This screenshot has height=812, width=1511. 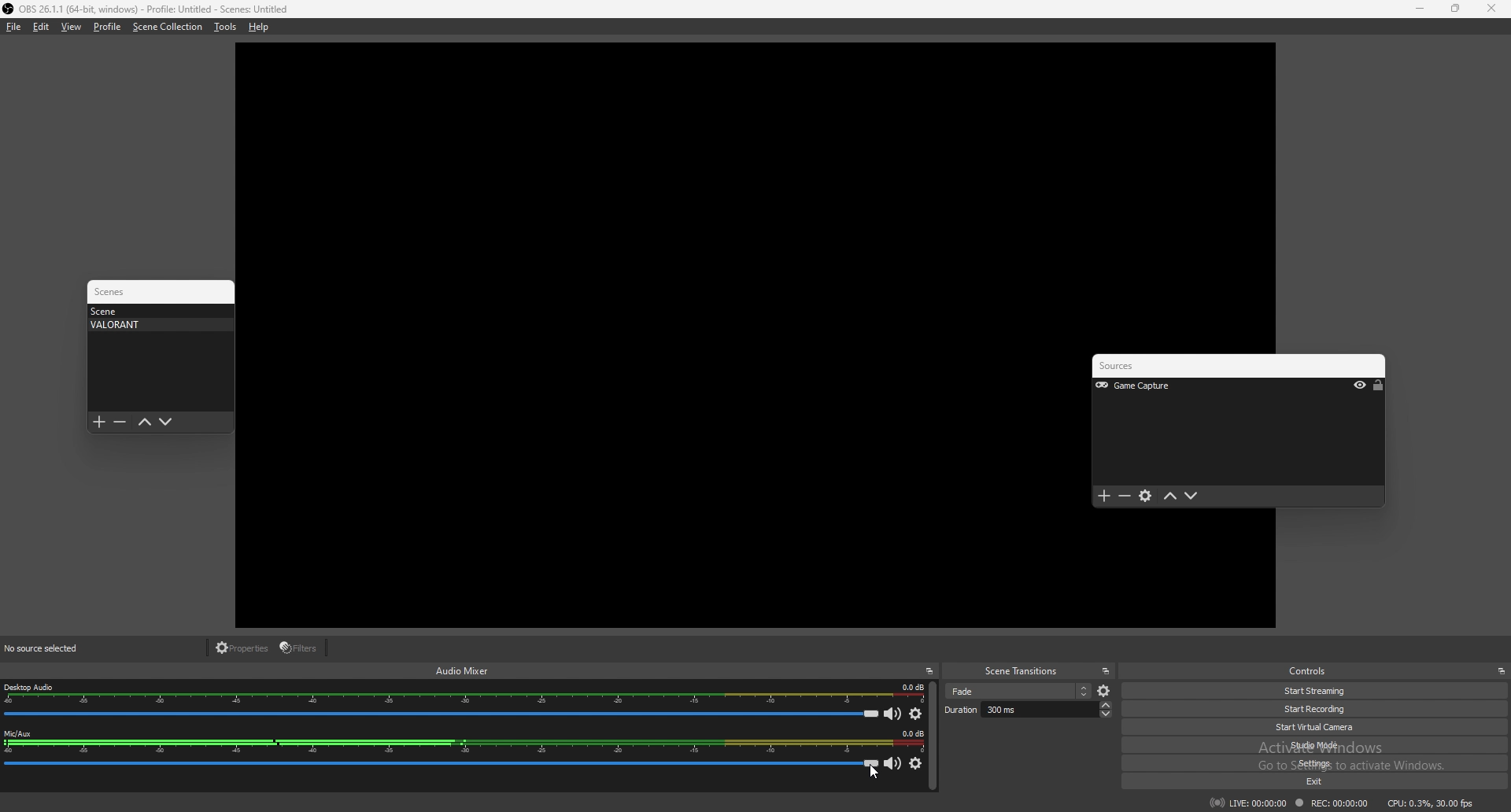 I want to click on pop out, so click(x=929, y=671).